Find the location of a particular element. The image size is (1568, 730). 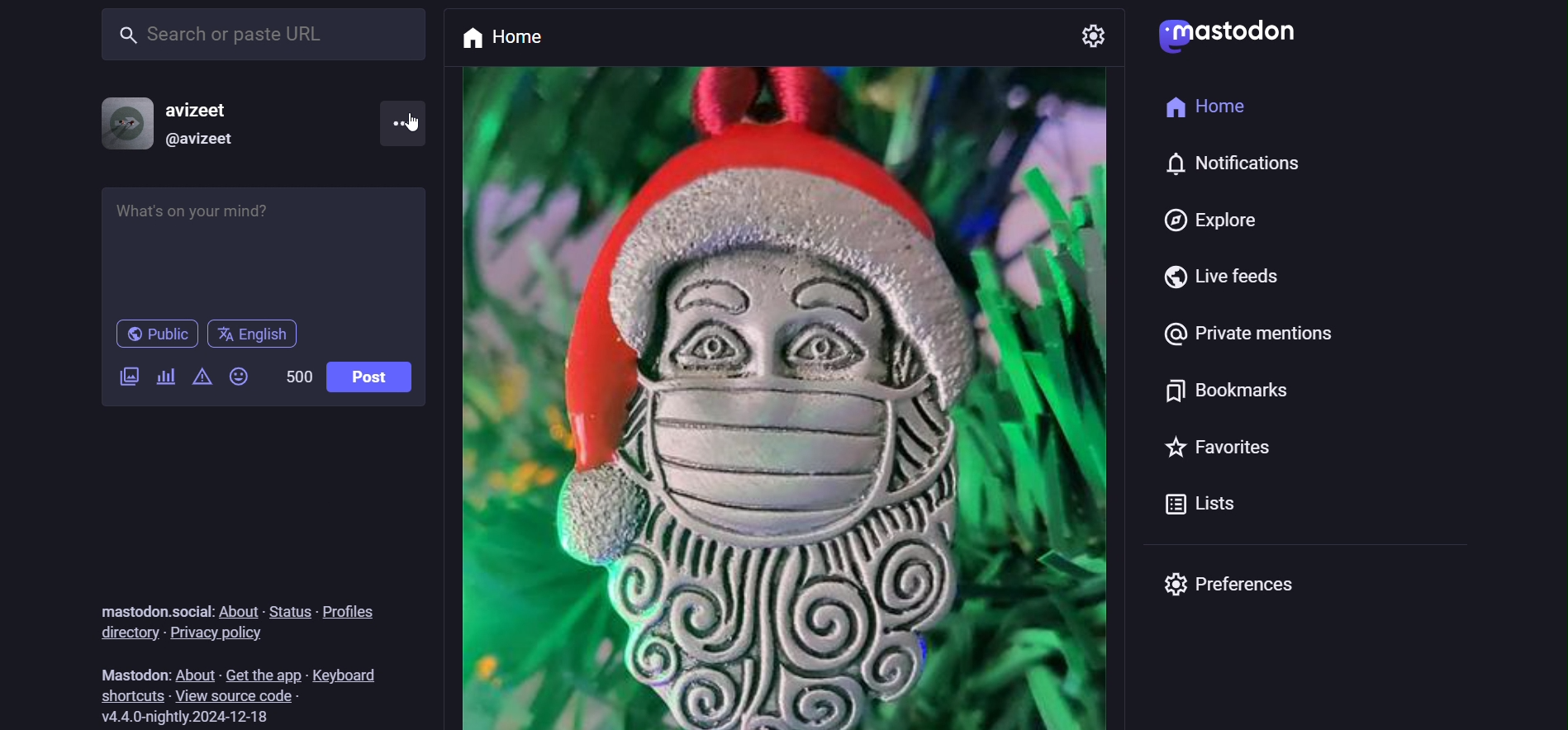

profiles is located at coordinates (363, 610).